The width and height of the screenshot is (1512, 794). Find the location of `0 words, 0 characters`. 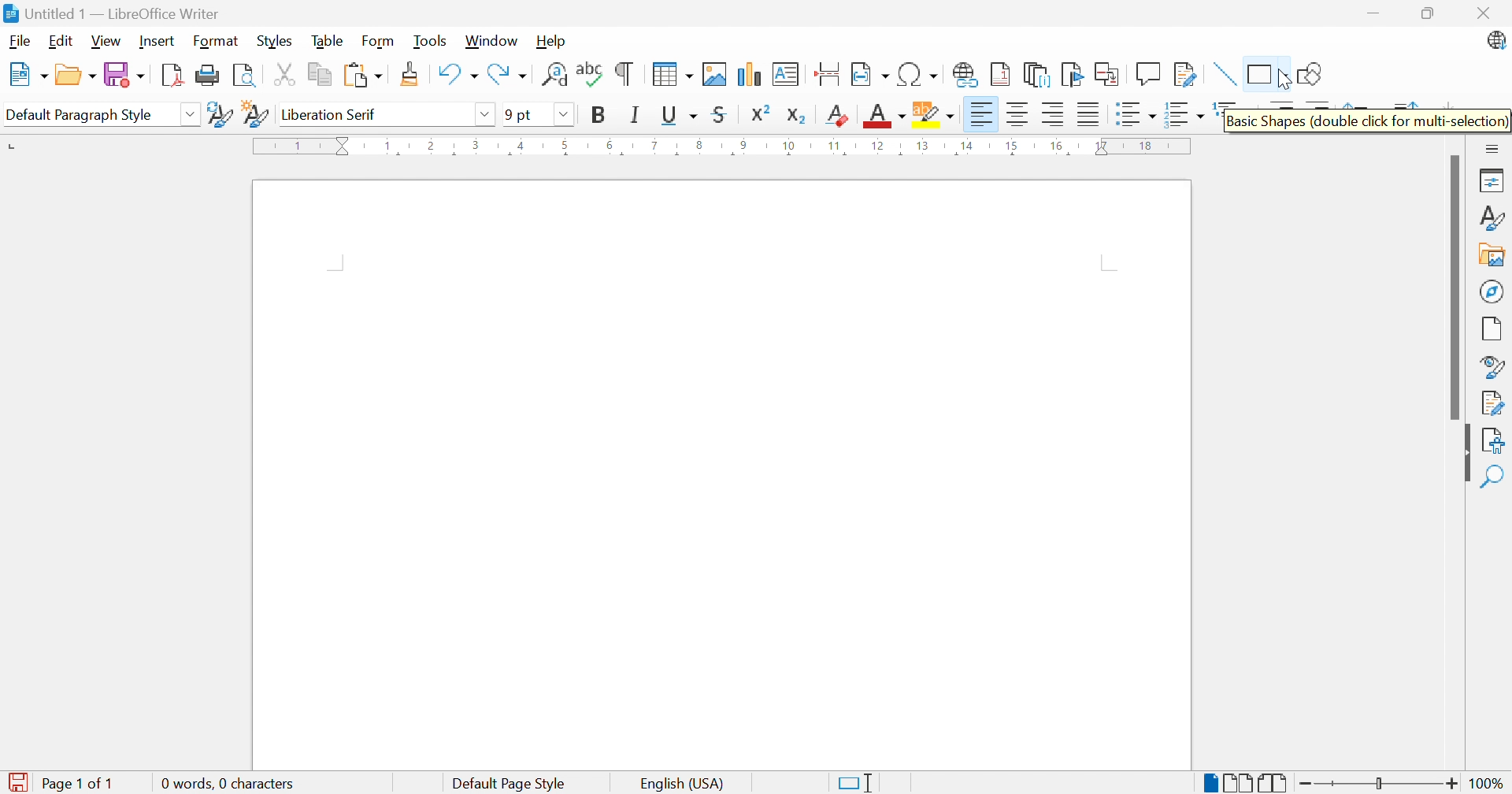

0 words, 0 characters is located at coordinates (226, 781).